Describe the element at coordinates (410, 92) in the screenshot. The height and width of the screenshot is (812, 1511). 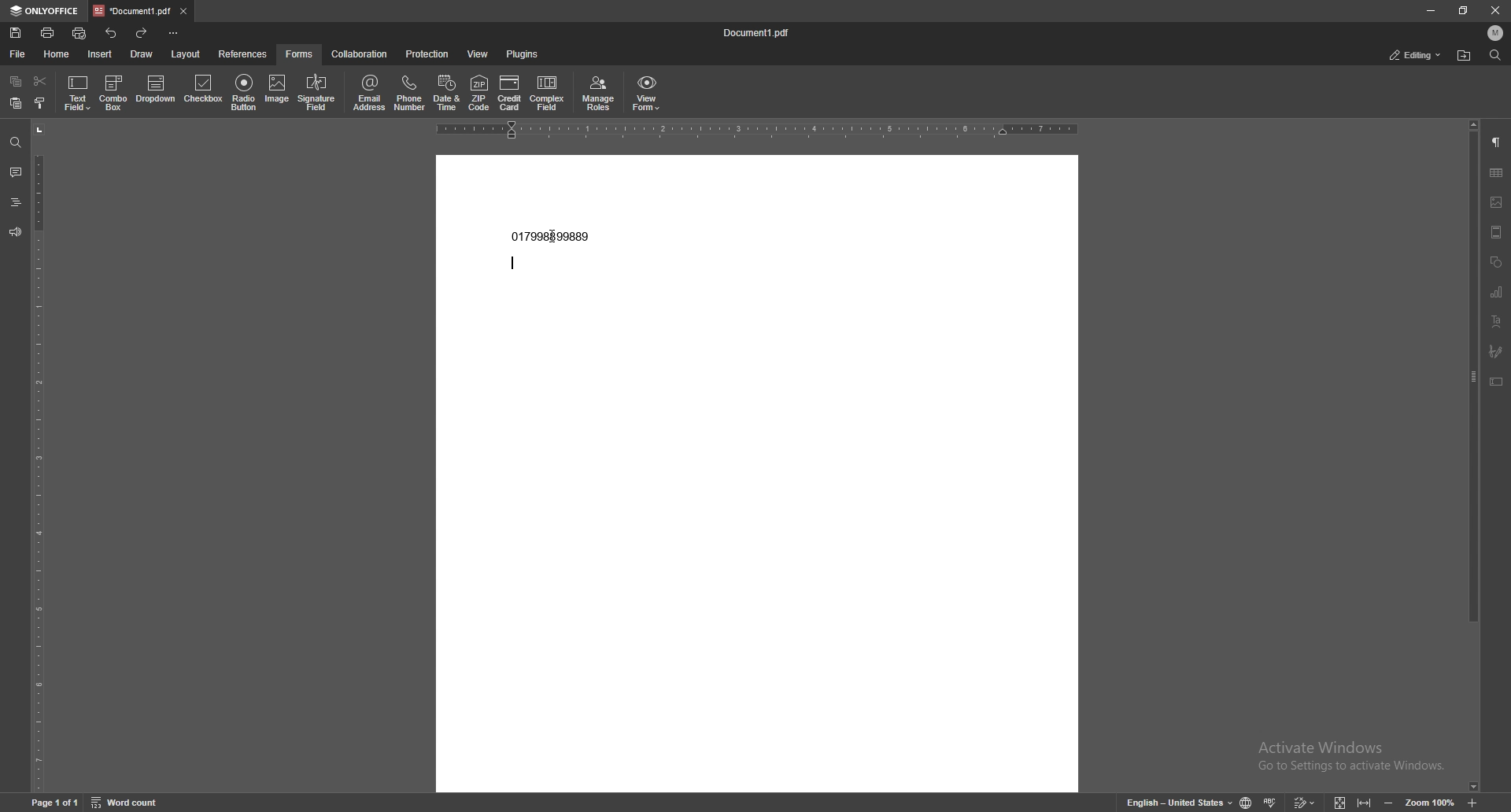
I see `phone number` at that location.